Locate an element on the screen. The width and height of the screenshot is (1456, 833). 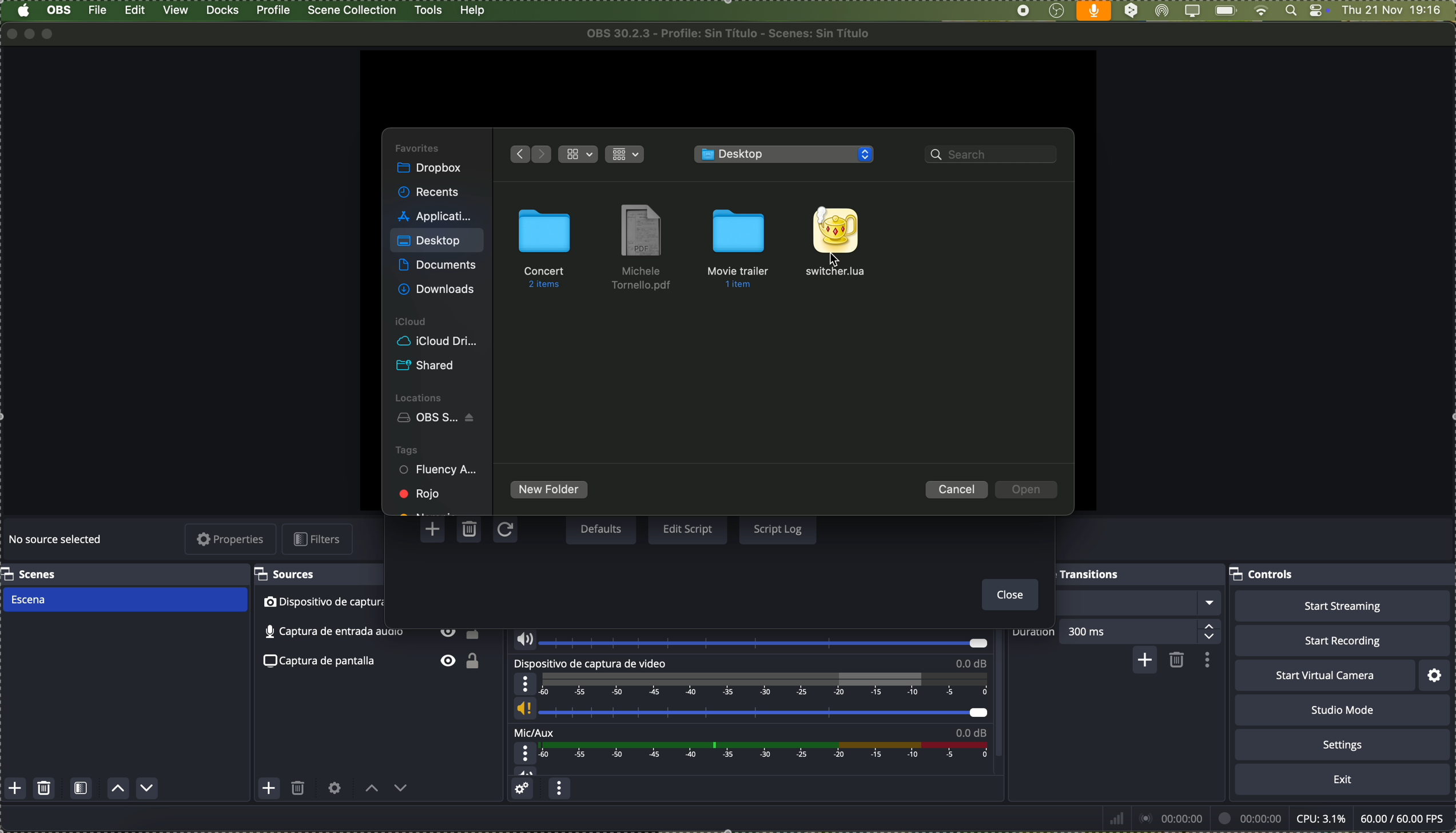
stop recording is located at coordinates (1023, 11).